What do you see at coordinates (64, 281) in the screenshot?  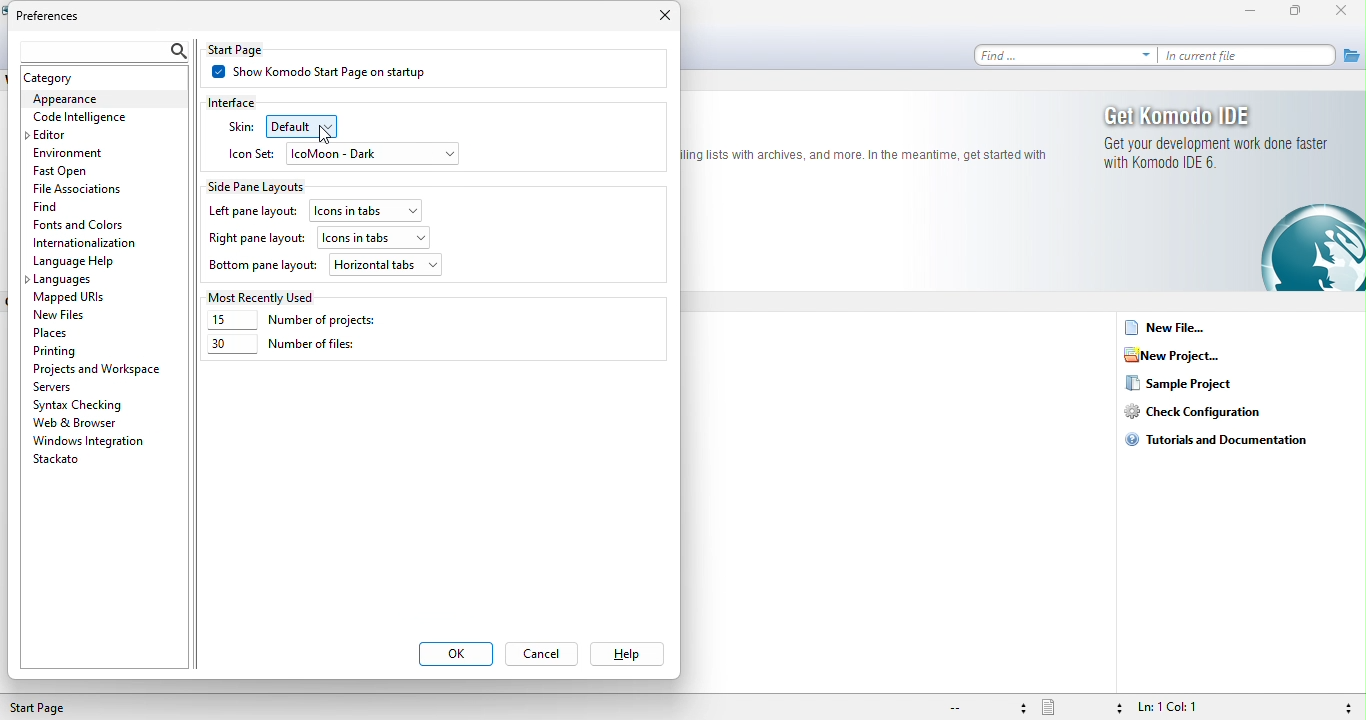 I see `languages` at bounding box center [64, 281].